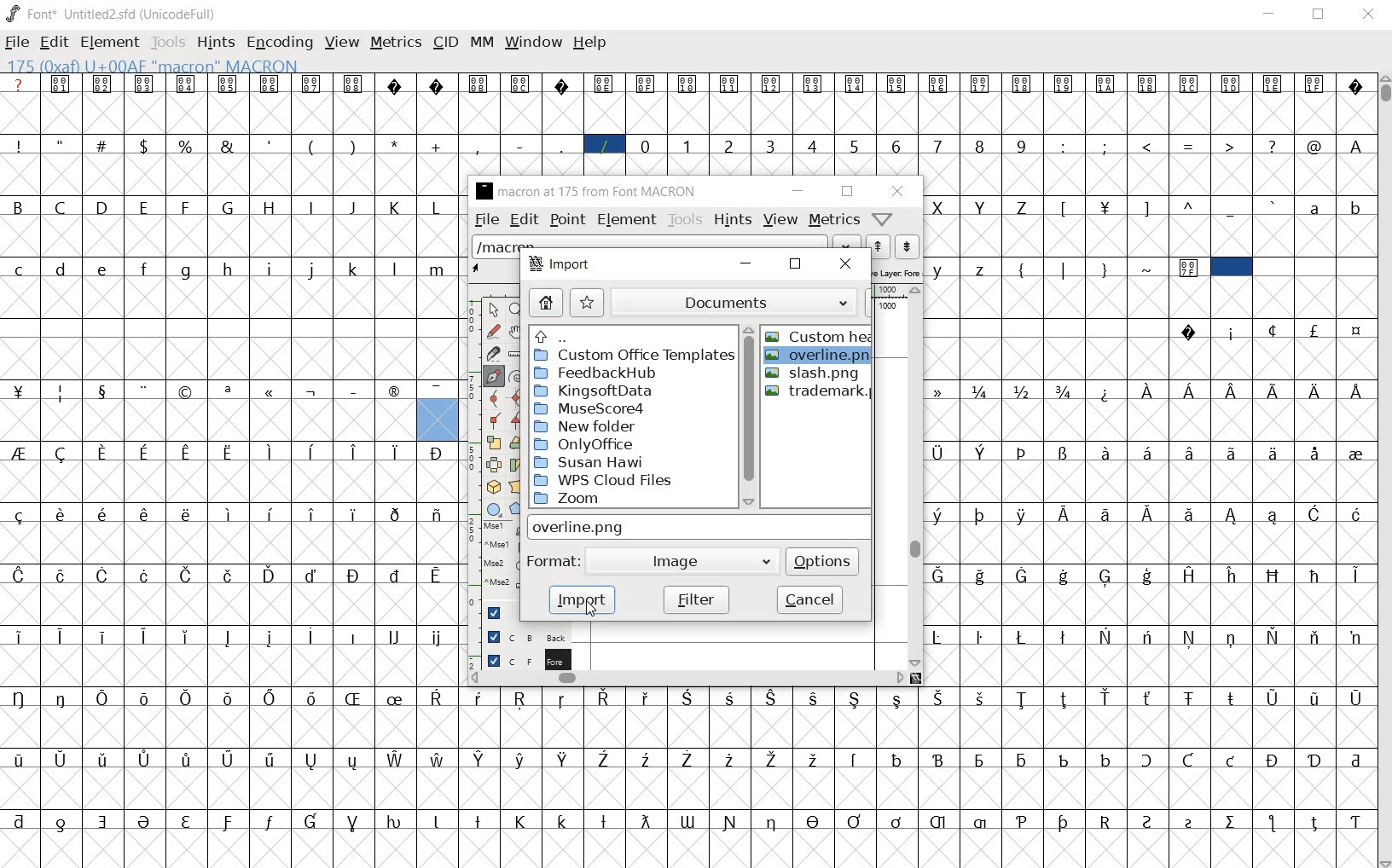  I want to click on j, so click(312, 270).